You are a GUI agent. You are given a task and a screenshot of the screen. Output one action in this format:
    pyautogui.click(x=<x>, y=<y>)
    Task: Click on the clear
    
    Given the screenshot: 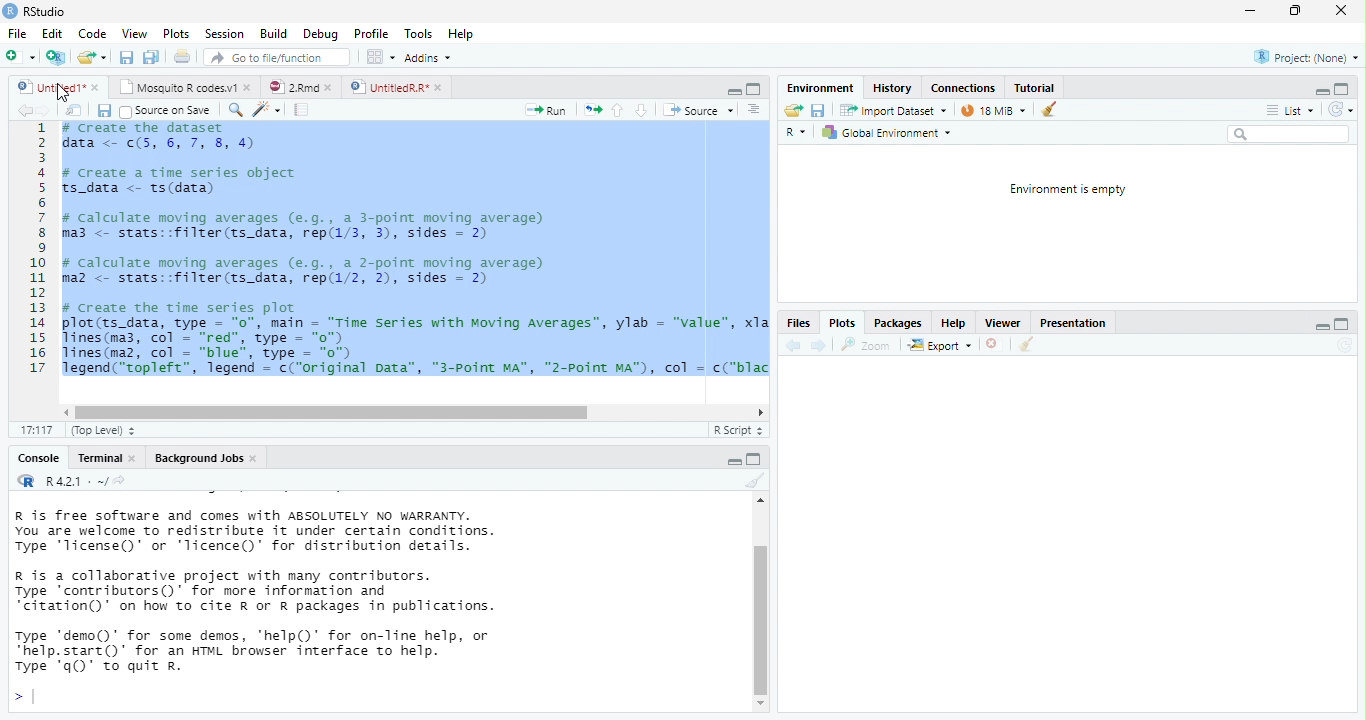 What is the action you would take?
    pyautogui.click(x=1049, y=108)
    